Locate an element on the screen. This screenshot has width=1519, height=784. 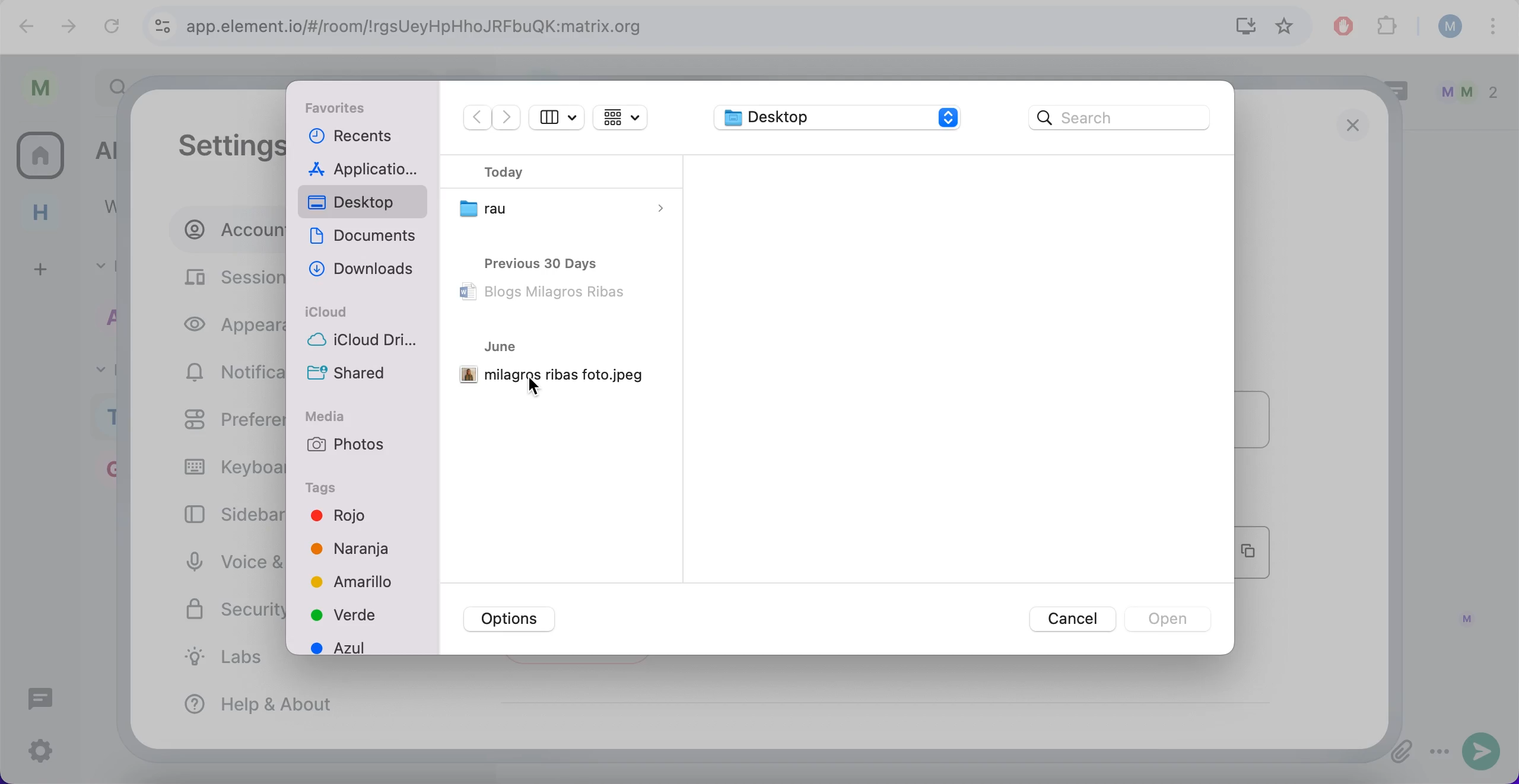
colors is located at coordinates (367, 581).